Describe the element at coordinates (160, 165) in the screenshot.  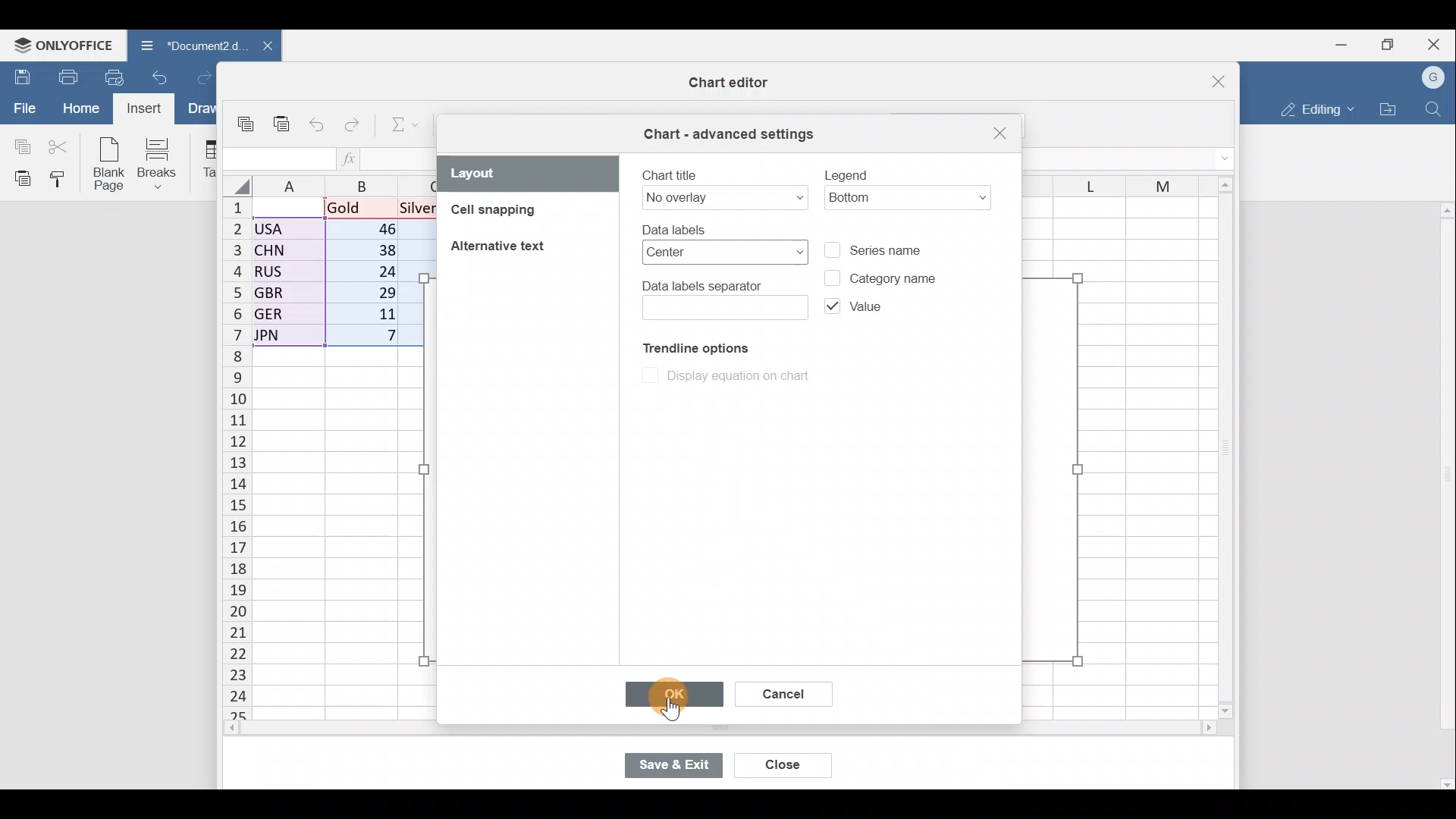
I see `Breaks` at that location.